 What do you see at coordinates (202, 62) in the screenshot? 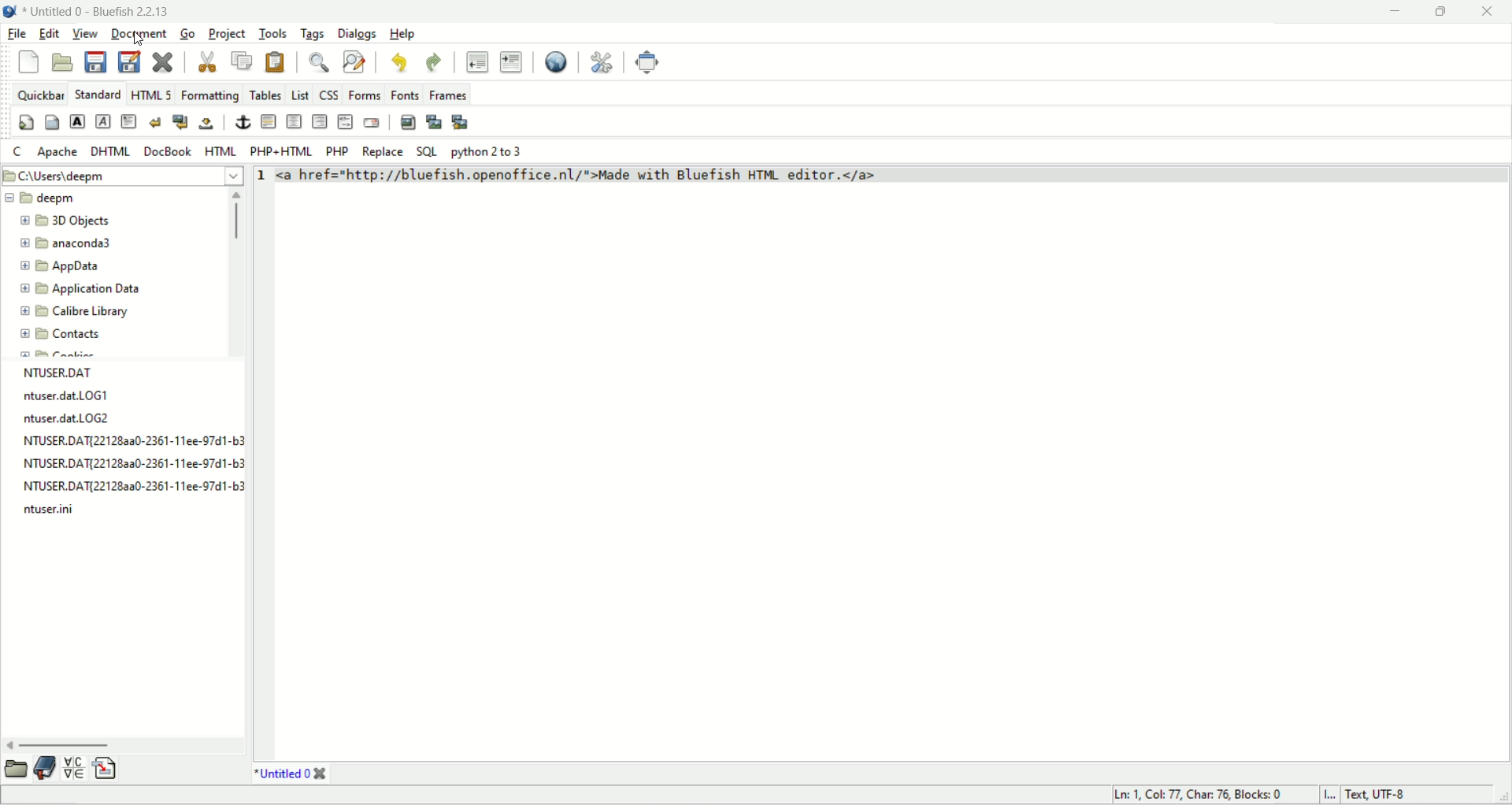
I see `cut` at bounding box center [202, 62].